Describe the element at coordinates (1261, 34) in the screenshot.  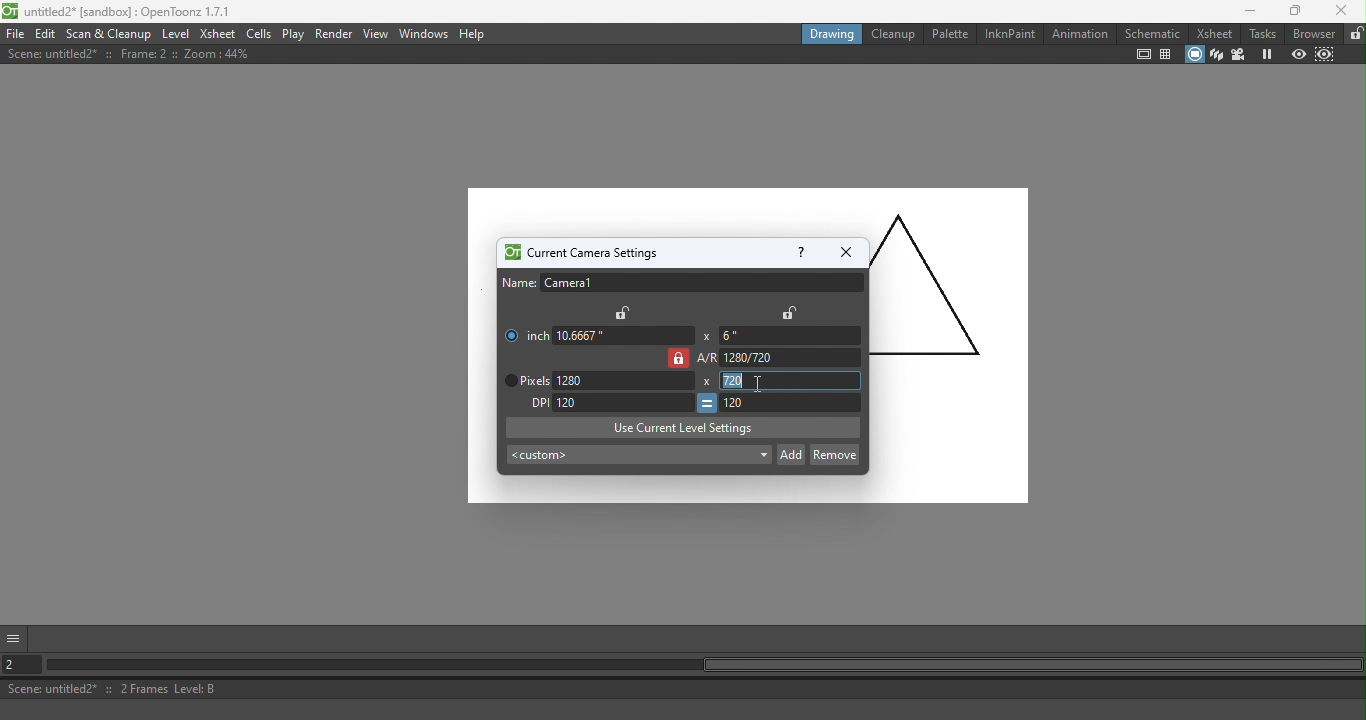
I see `Tasks` at that location.